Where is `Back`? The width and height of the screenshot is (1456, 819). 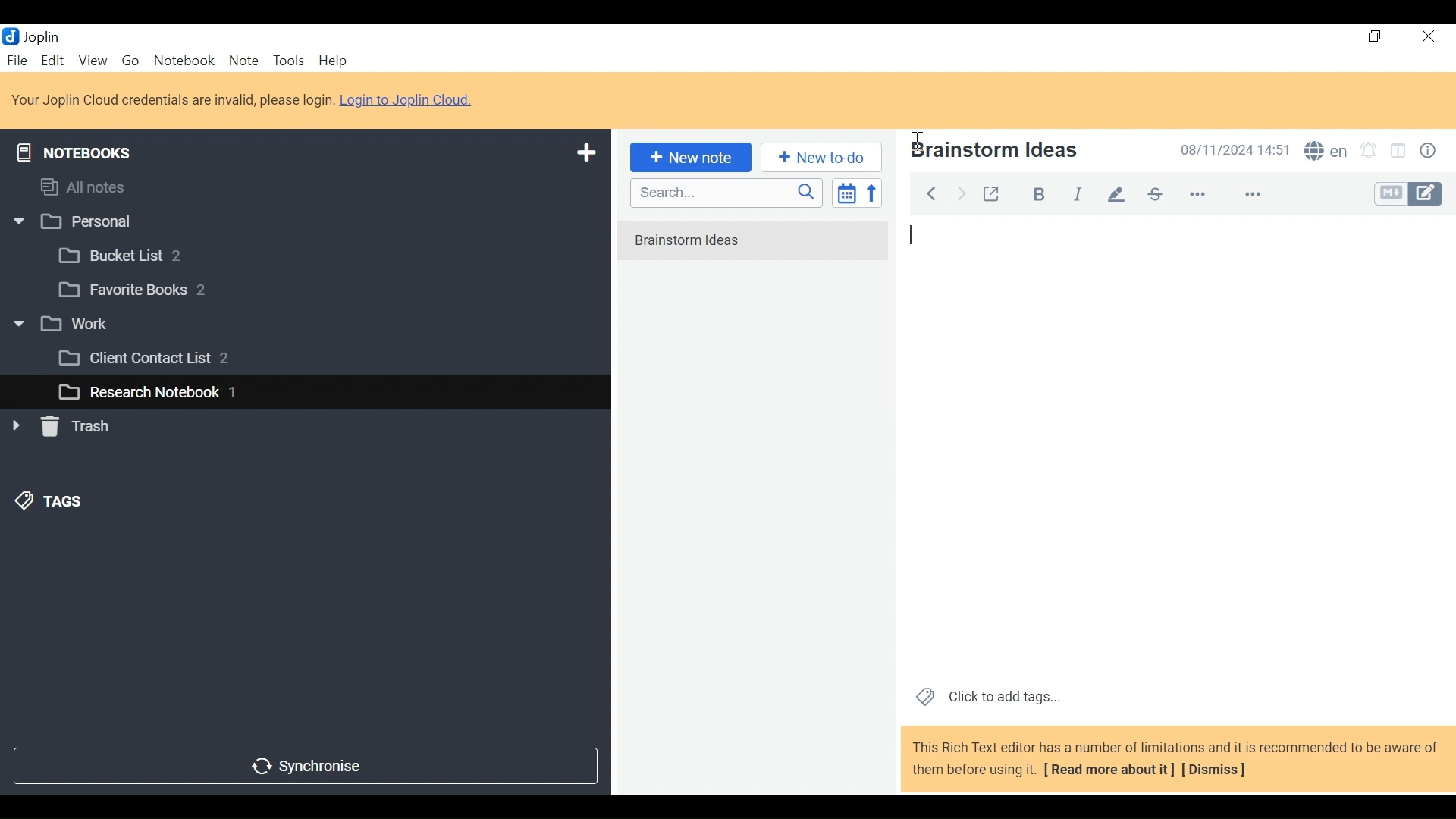 Back is located at coordinates (930, 191).